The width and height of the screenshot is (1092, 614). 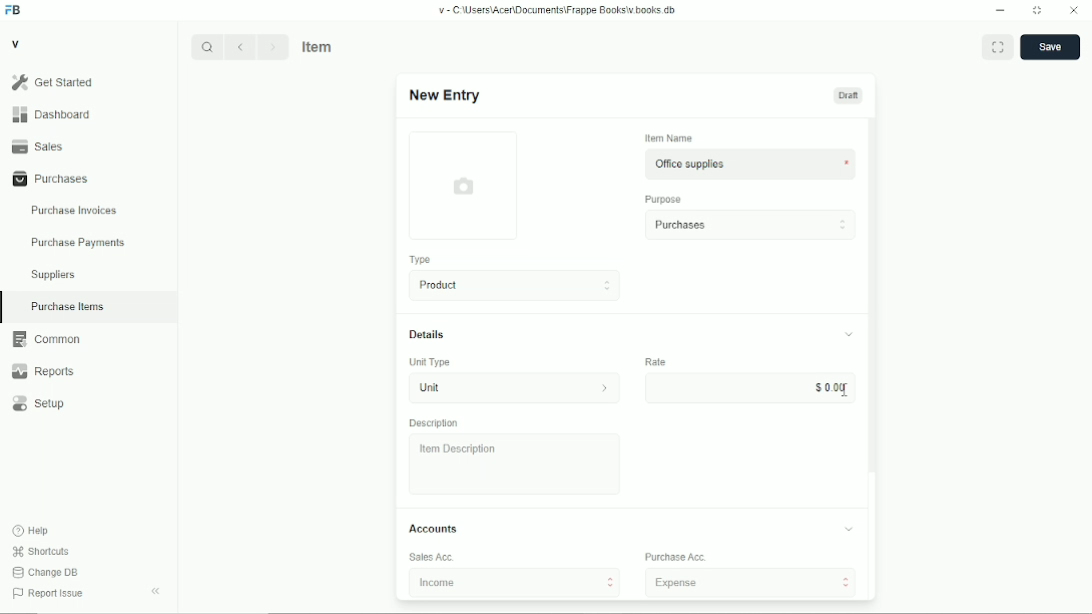 What do you see at coordinates (67, 307) in the screenshot?
I see `purchase items` at bounding box center [67, 307].